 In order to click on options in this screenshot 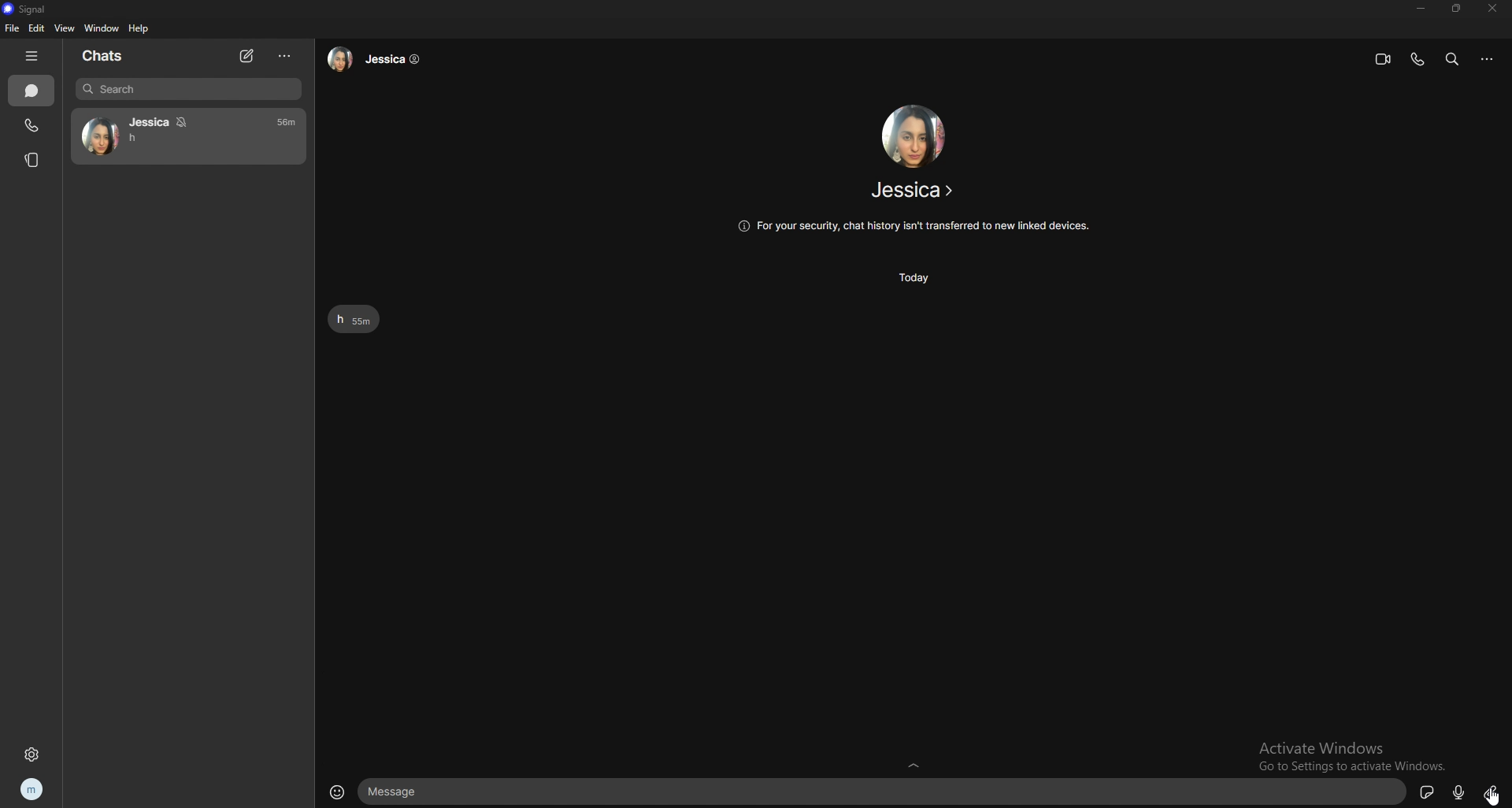, I will do `click(1488, 59)`.